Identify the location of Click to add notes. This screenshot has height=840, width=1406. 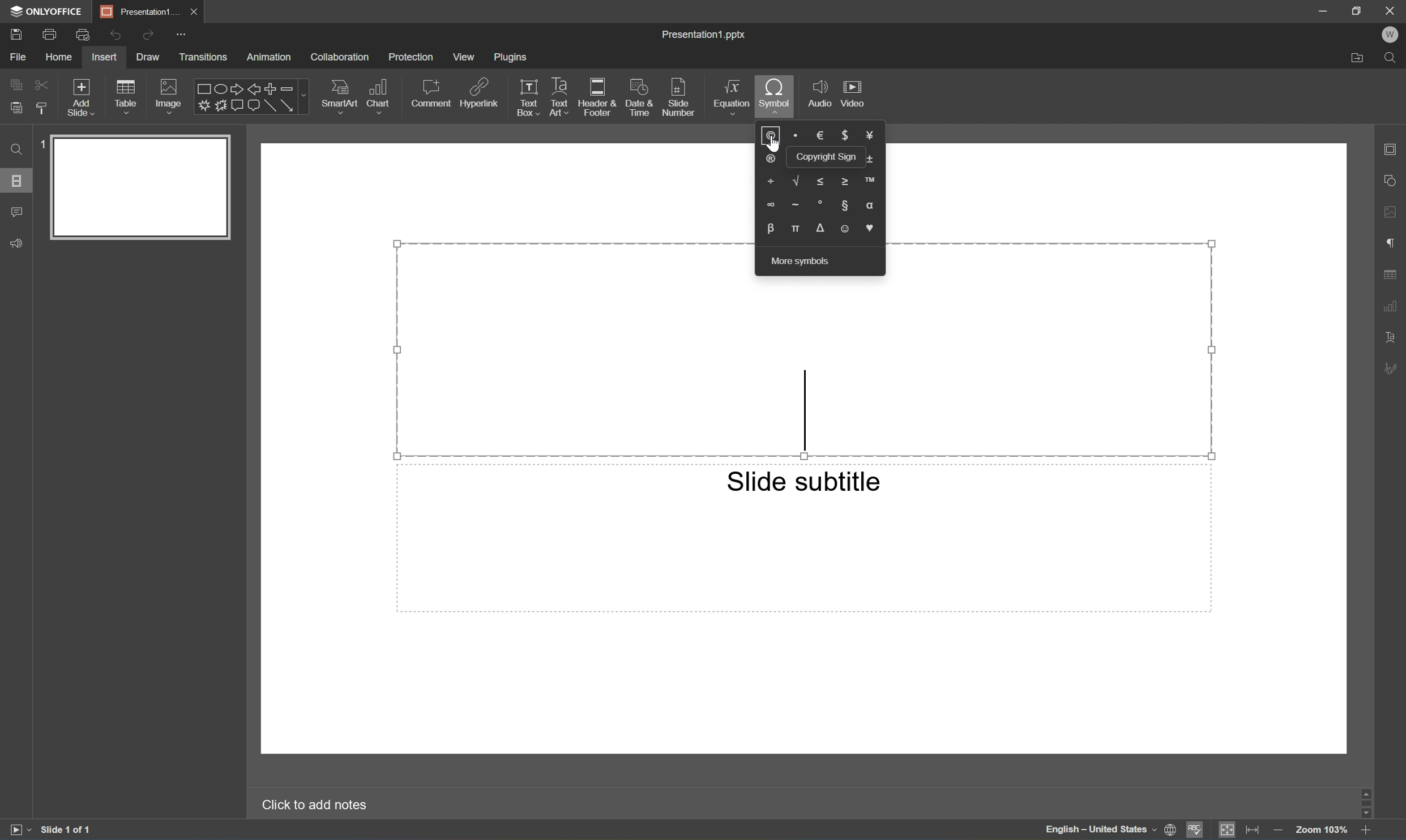
(314, 802).